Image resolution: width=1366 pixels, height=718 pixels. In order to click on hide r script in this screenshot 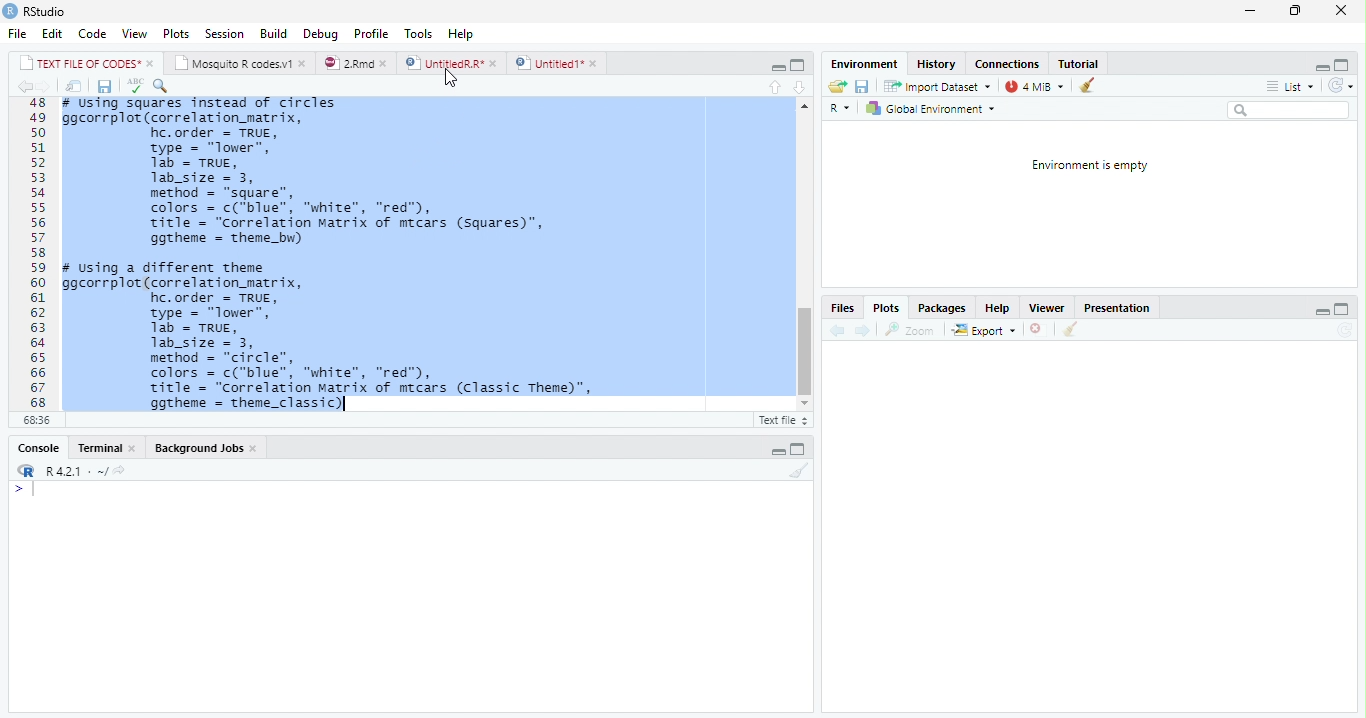, I will do `click(777, 450)`.